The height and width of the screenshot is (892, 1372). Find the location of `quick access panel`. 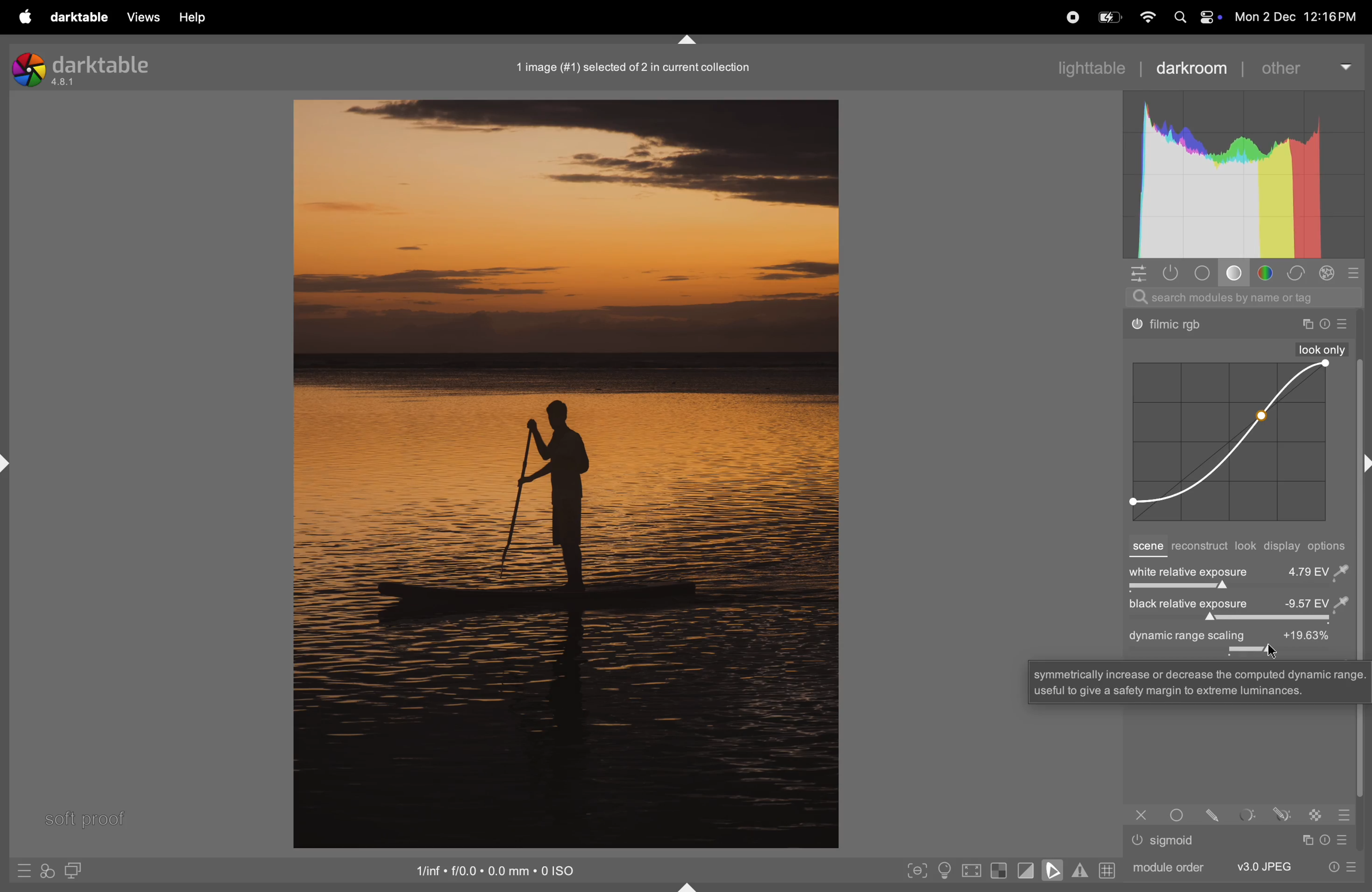

quick access panel is located at coordinates (1136, 273).